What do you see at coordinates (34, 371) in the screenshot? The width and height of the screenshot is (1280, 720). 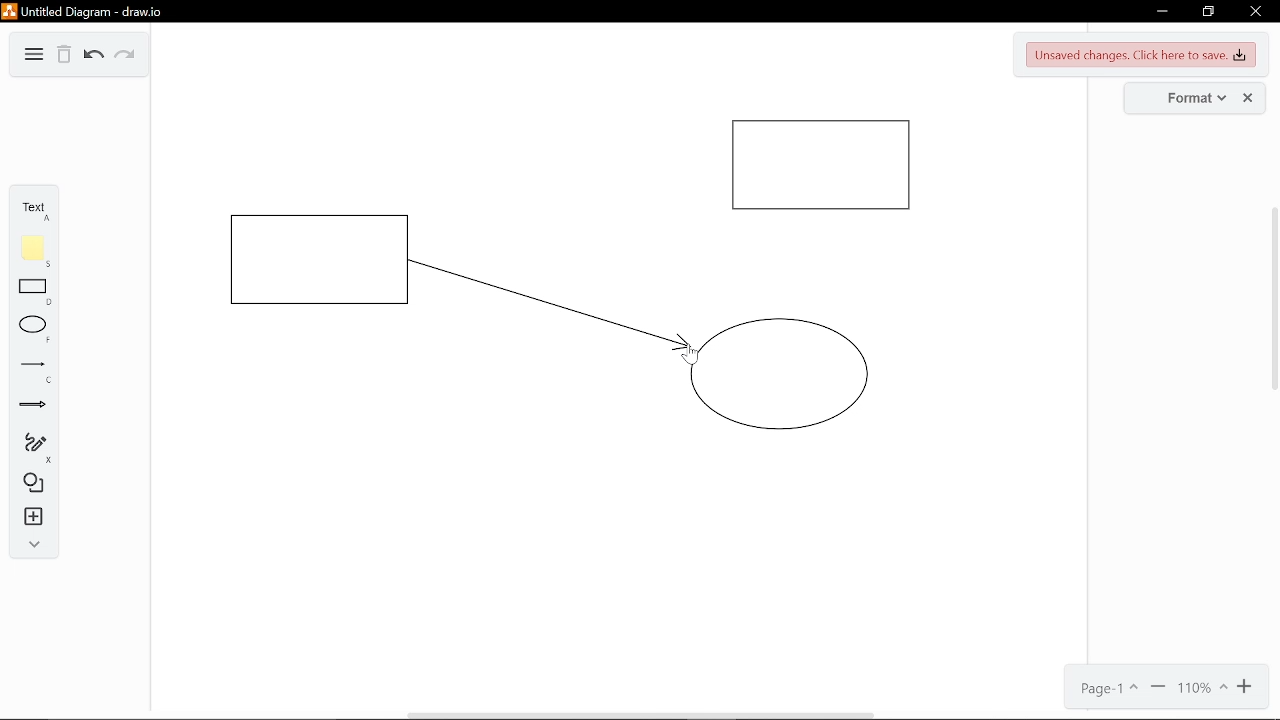 I see `Line` at bounding box center [34, 371].